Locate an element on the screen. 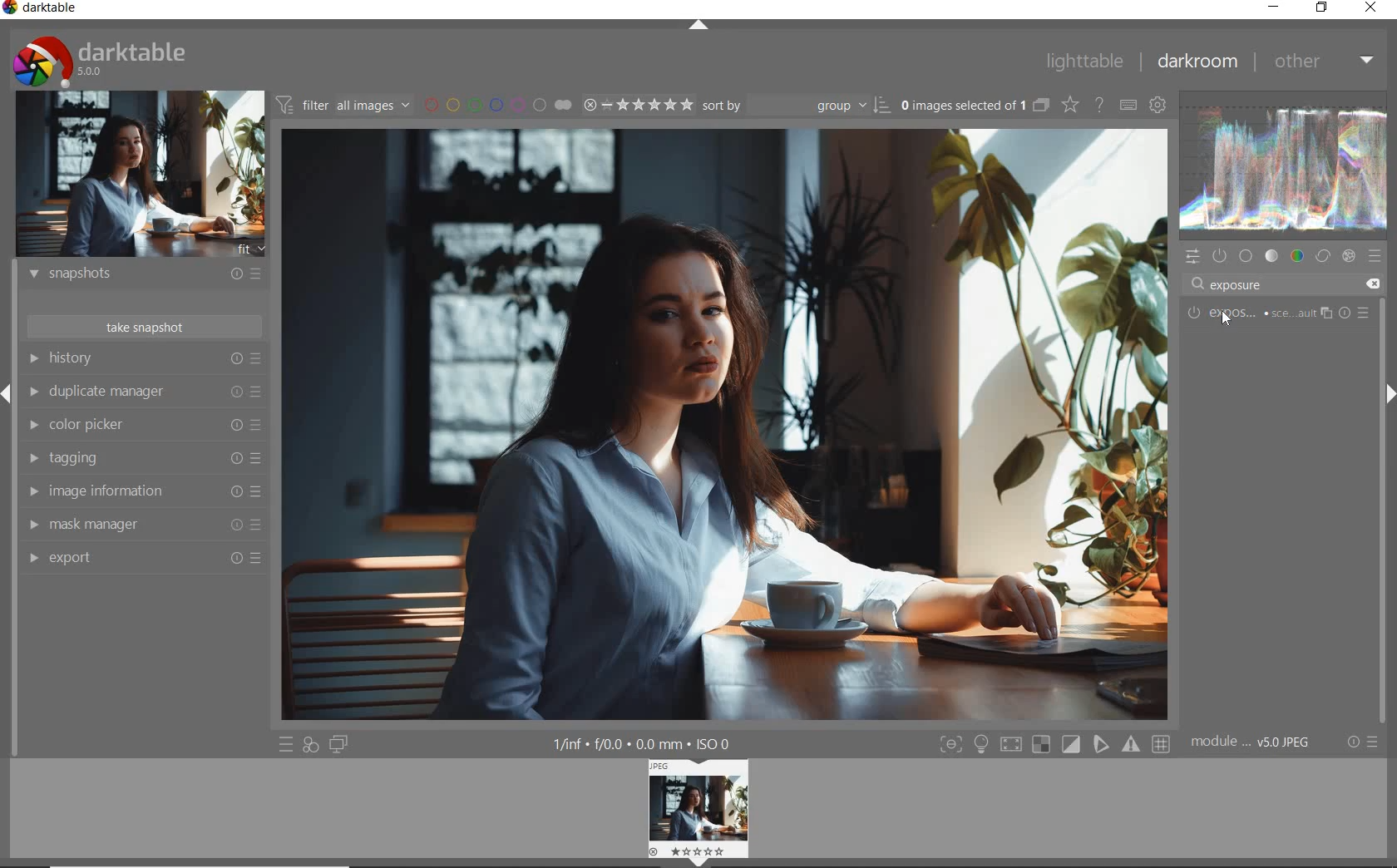  darkroom is located at coordinates (1197, 62).